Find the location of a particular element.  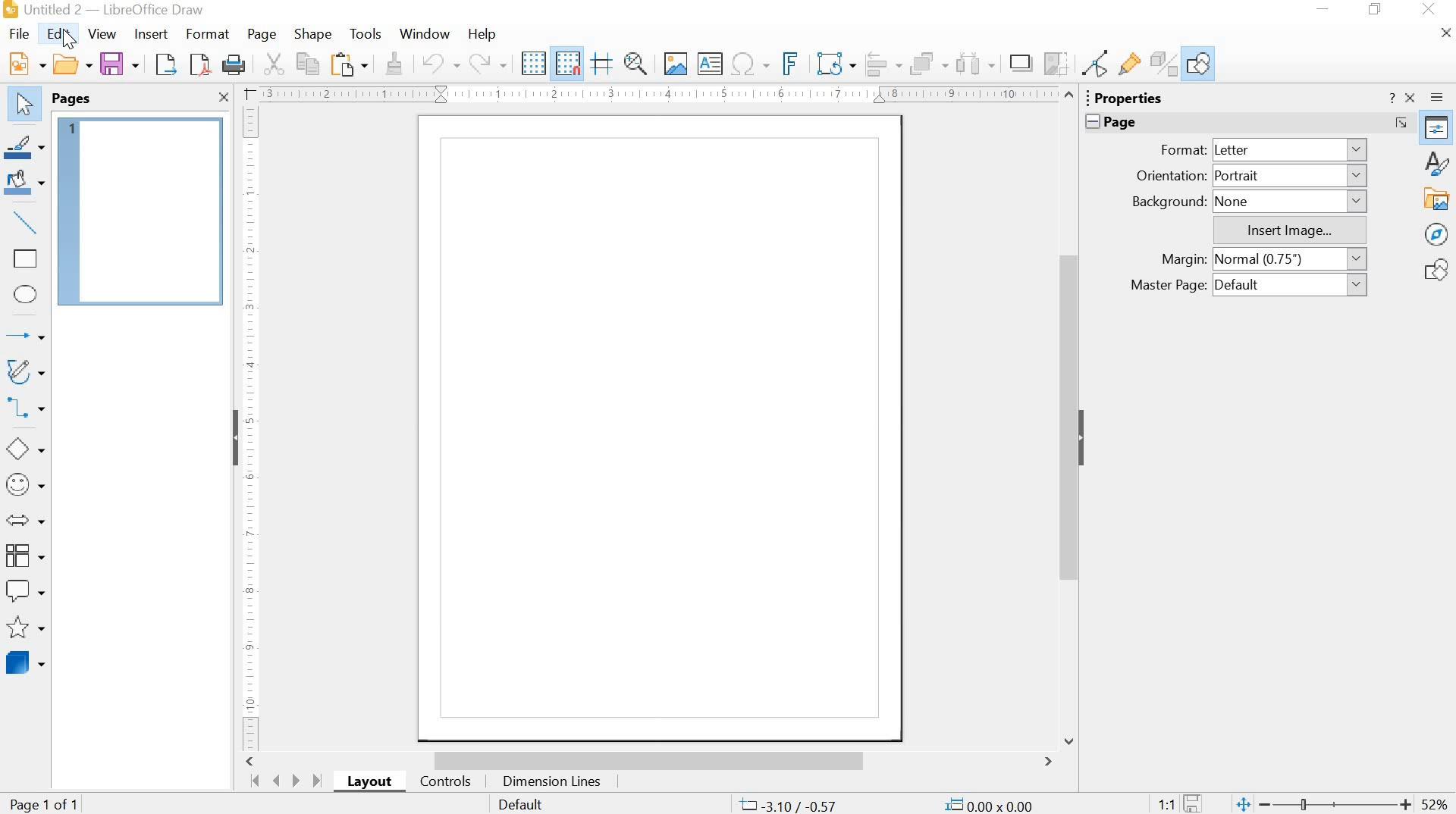

Lines and Arrows (double click for multi-selection) is located at coordinates (24, 336).